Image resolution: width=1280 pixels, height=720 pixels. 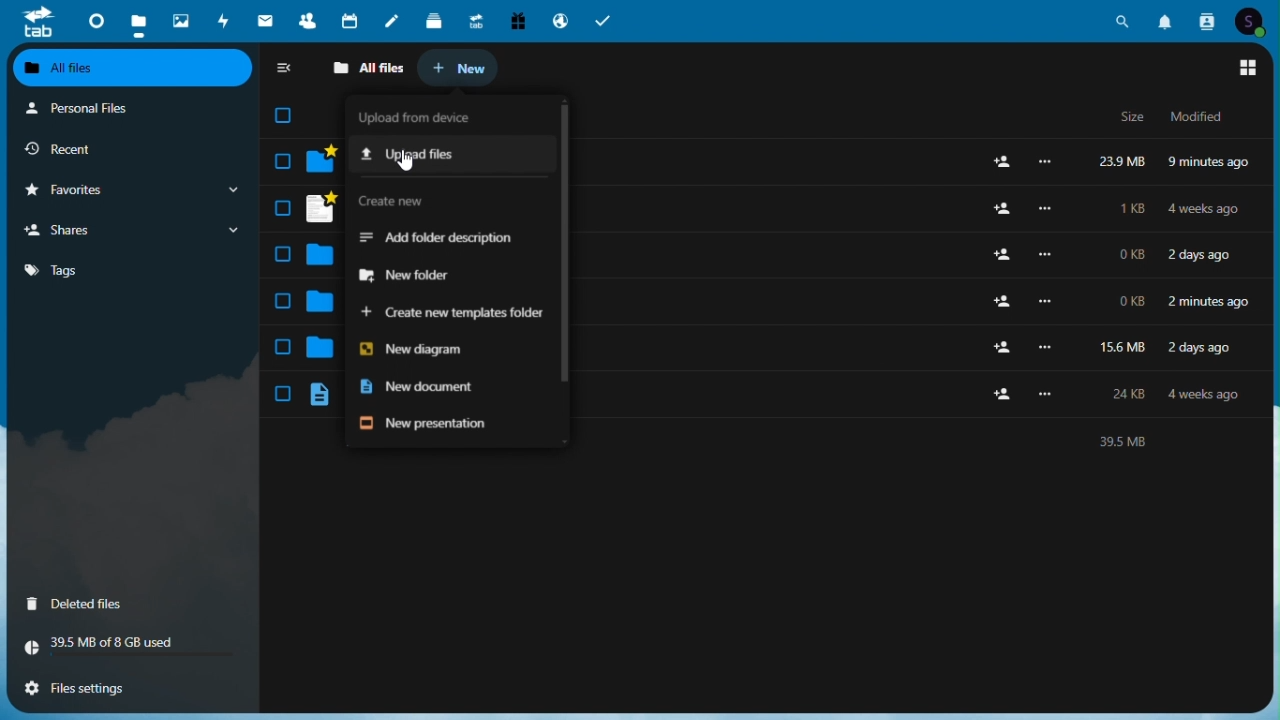 What do you see at coordinates (1133, 118) in the screenshot?
I see `Size` at bounding box center [1133, 118].